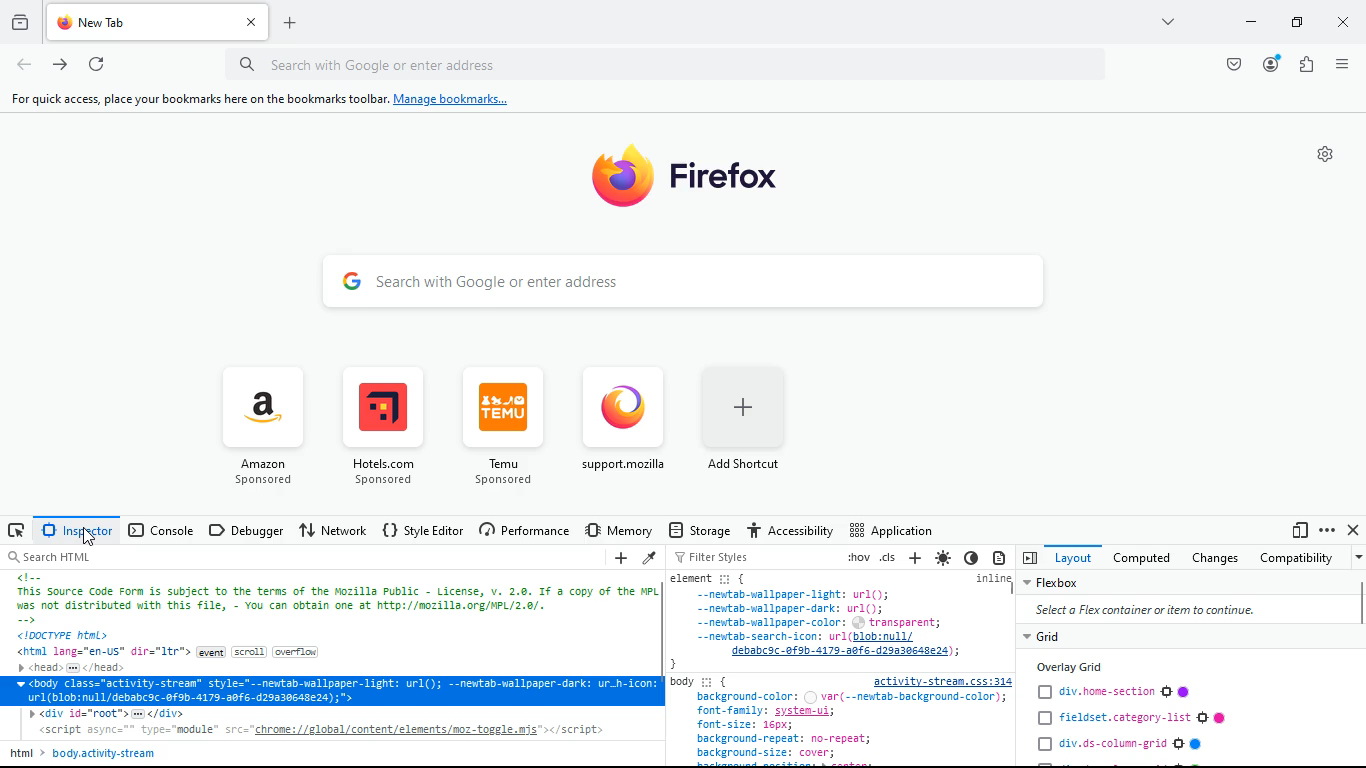 The height and width of the screenshot is (768, 1366). Describe the element at coordinates (330, 655) in the screenshot. I see `=
This Source Code Form is subject to the terms of the Mozilla Public - License, v. 2.8. If 8 copy of the WPL
was not distributed with this file, - You can Obtain one at http://mozilla.org/WPL/2.0/.
pared
<IDoCTYPE html>
chtal langa"en-Us" dirs"1tr"> (avant (screll) (overflow
» <head> =) </head>

b <div 10a"root"> mm </div>

<script async="" type-"module" srcs"chrome: //global/content/elements/a0: toggle mis" ></script>` at that location.